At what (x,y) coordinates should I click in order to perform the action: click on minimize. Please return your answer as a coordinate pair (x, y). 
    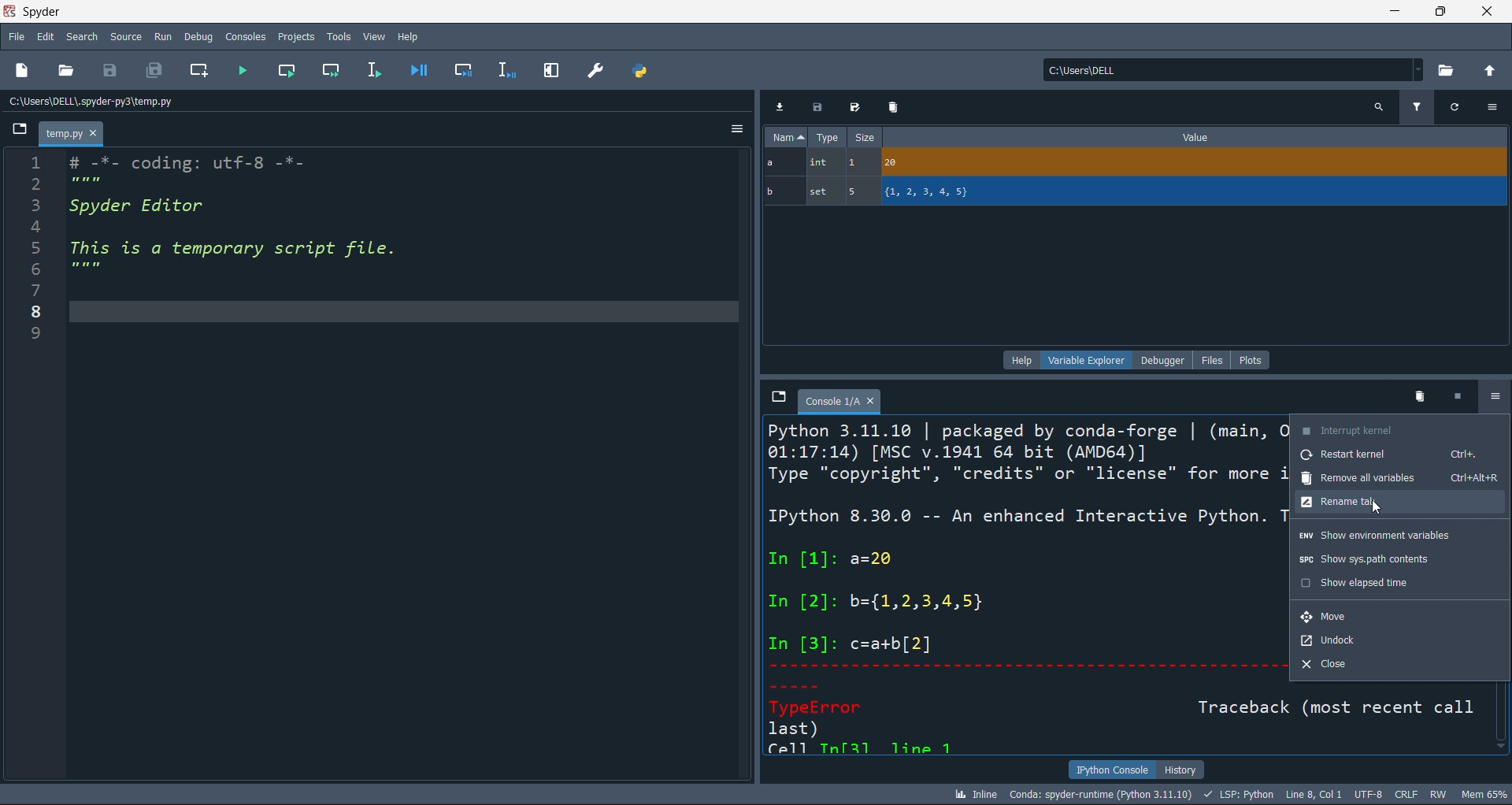
    Looking at the image, I should click on (1392, 11).